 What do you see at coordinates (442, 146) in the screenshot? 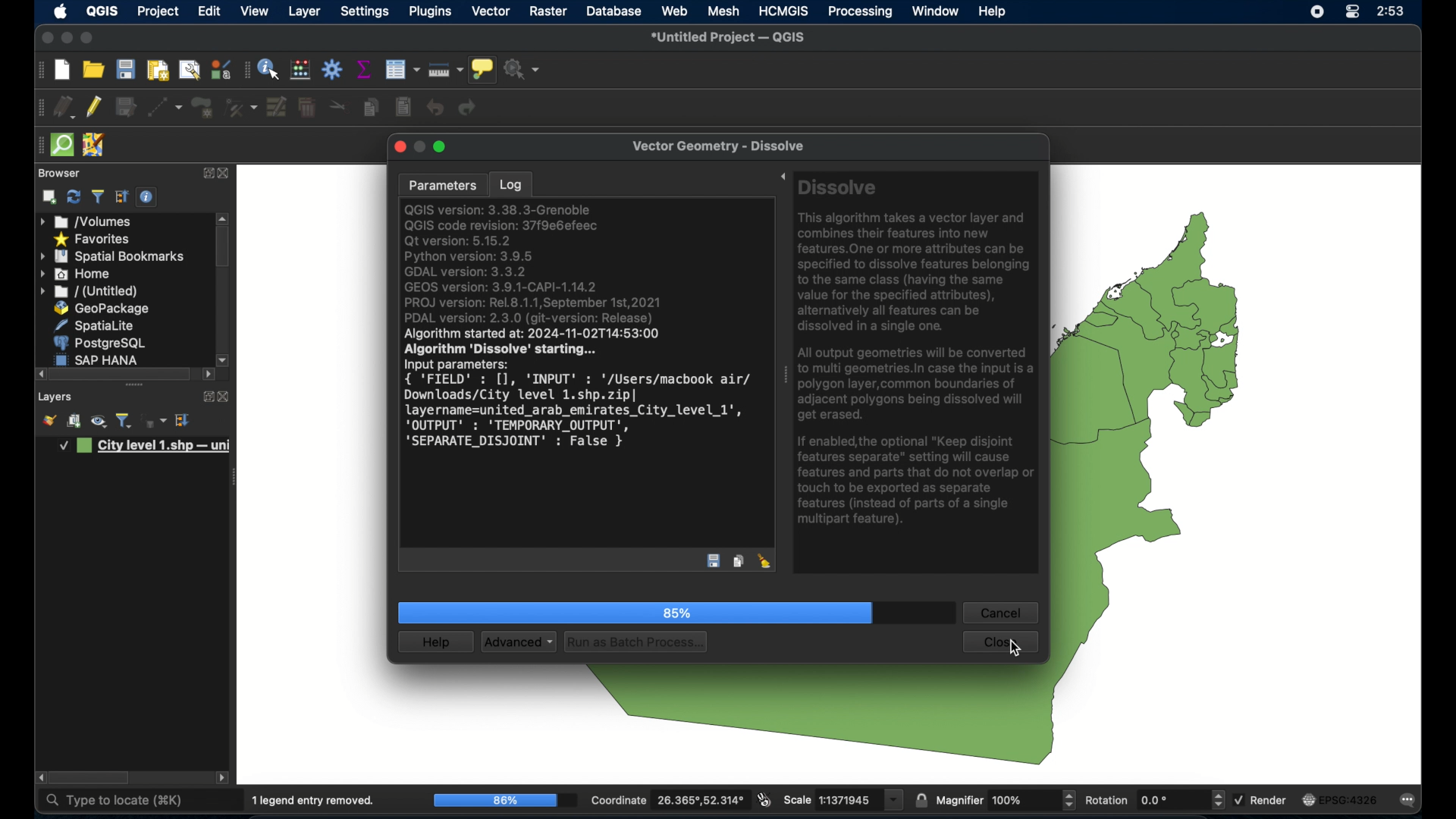
I see `maximize` at bounding box center [442, 146].